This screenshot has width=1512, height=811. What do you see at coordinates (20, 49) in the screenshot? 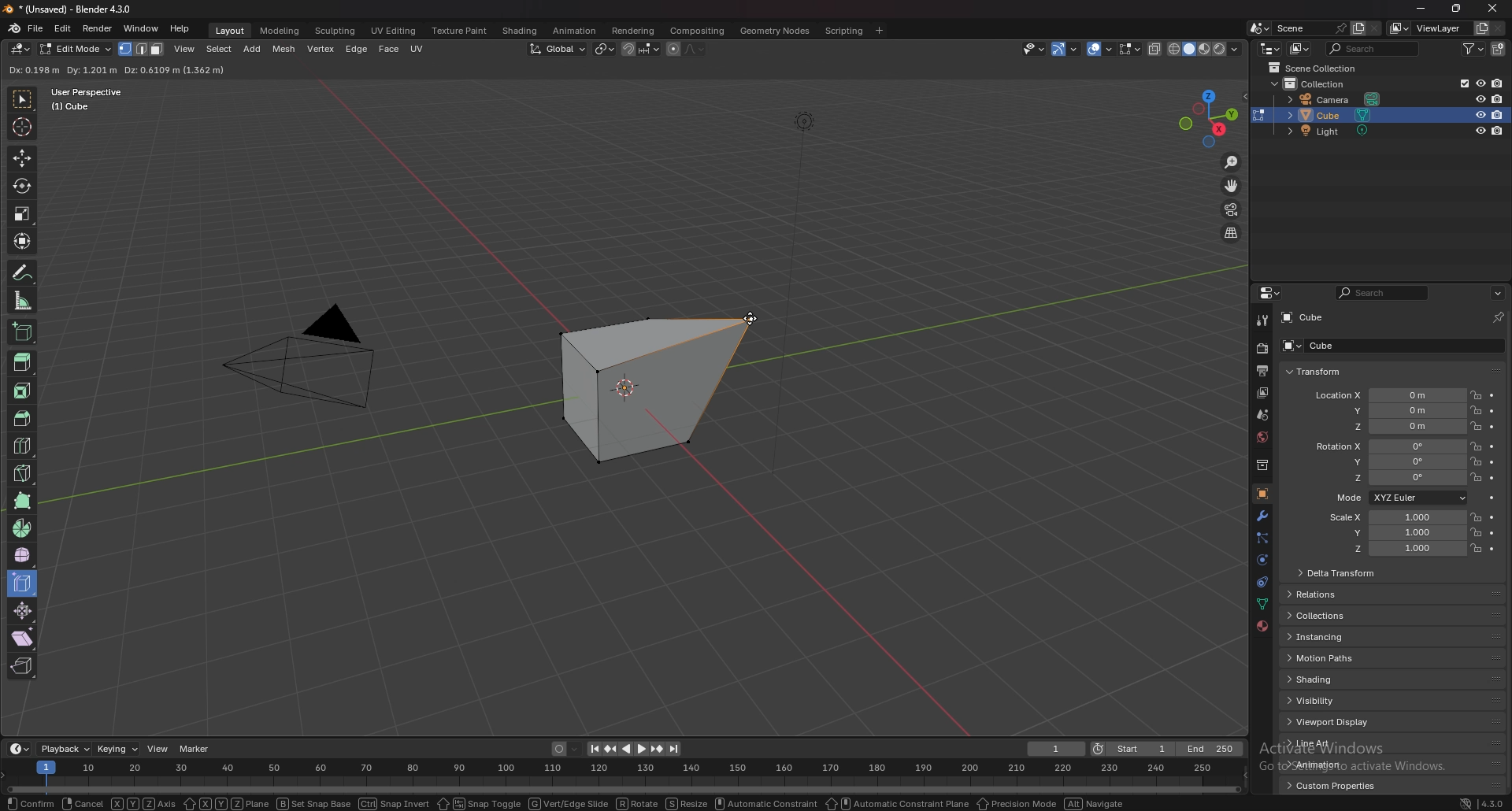
I see `editor type` at bounding box center [20, 49].